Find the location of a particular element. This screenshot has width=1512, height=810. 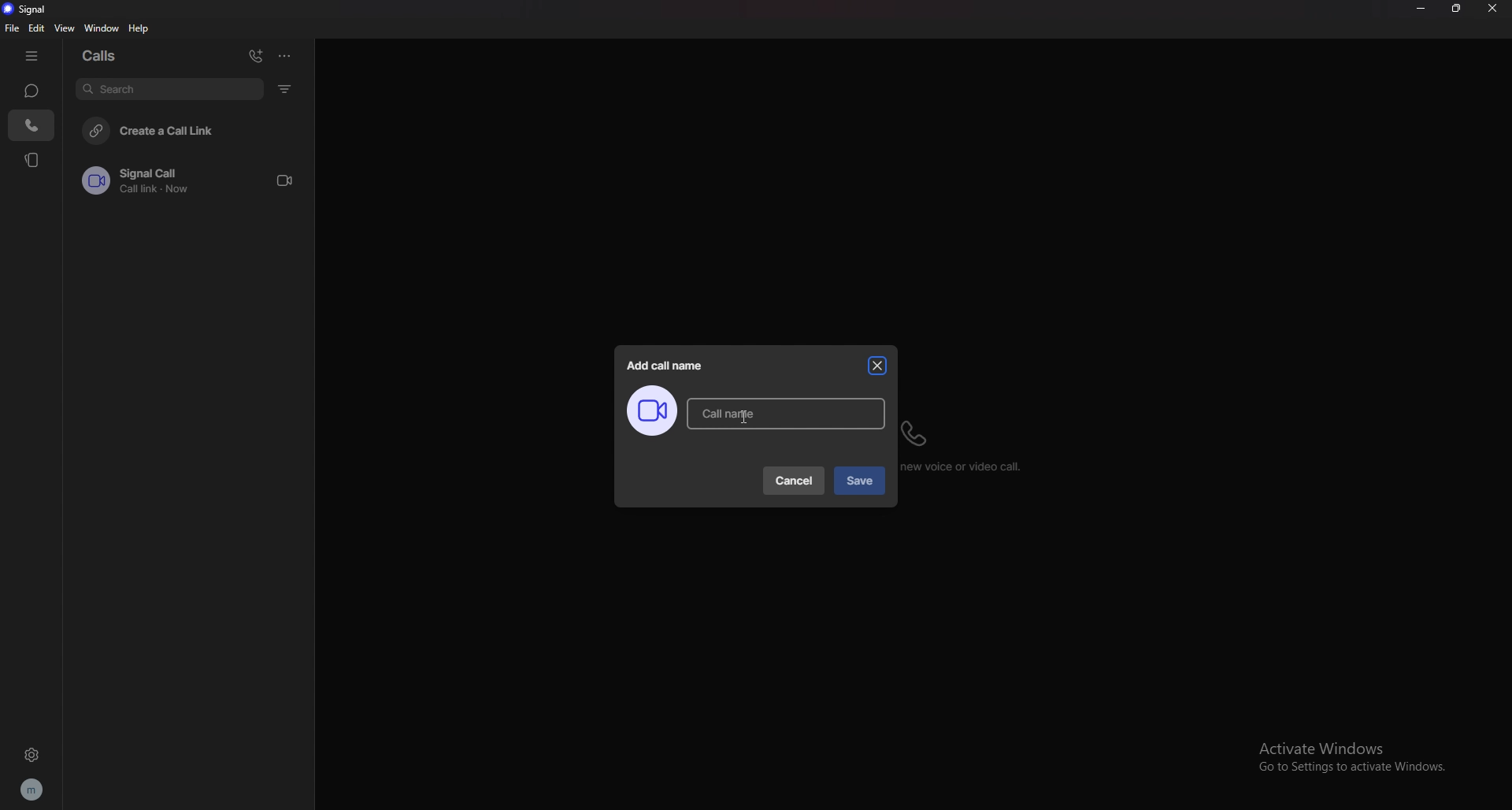

minimize is located at coordinates (1420, 9).